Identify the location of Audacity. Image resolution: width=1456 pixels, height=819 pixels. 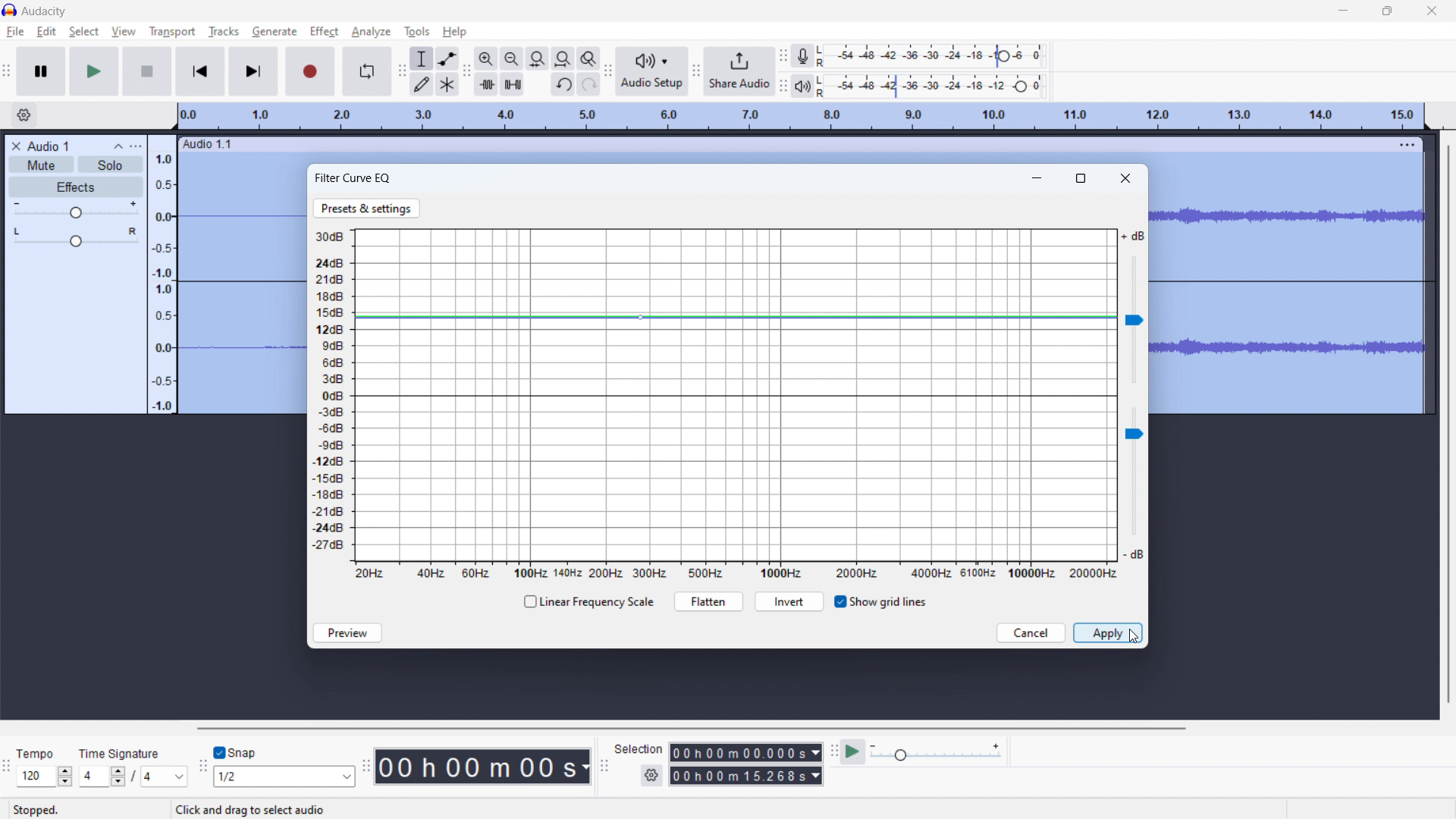
(45, 11).